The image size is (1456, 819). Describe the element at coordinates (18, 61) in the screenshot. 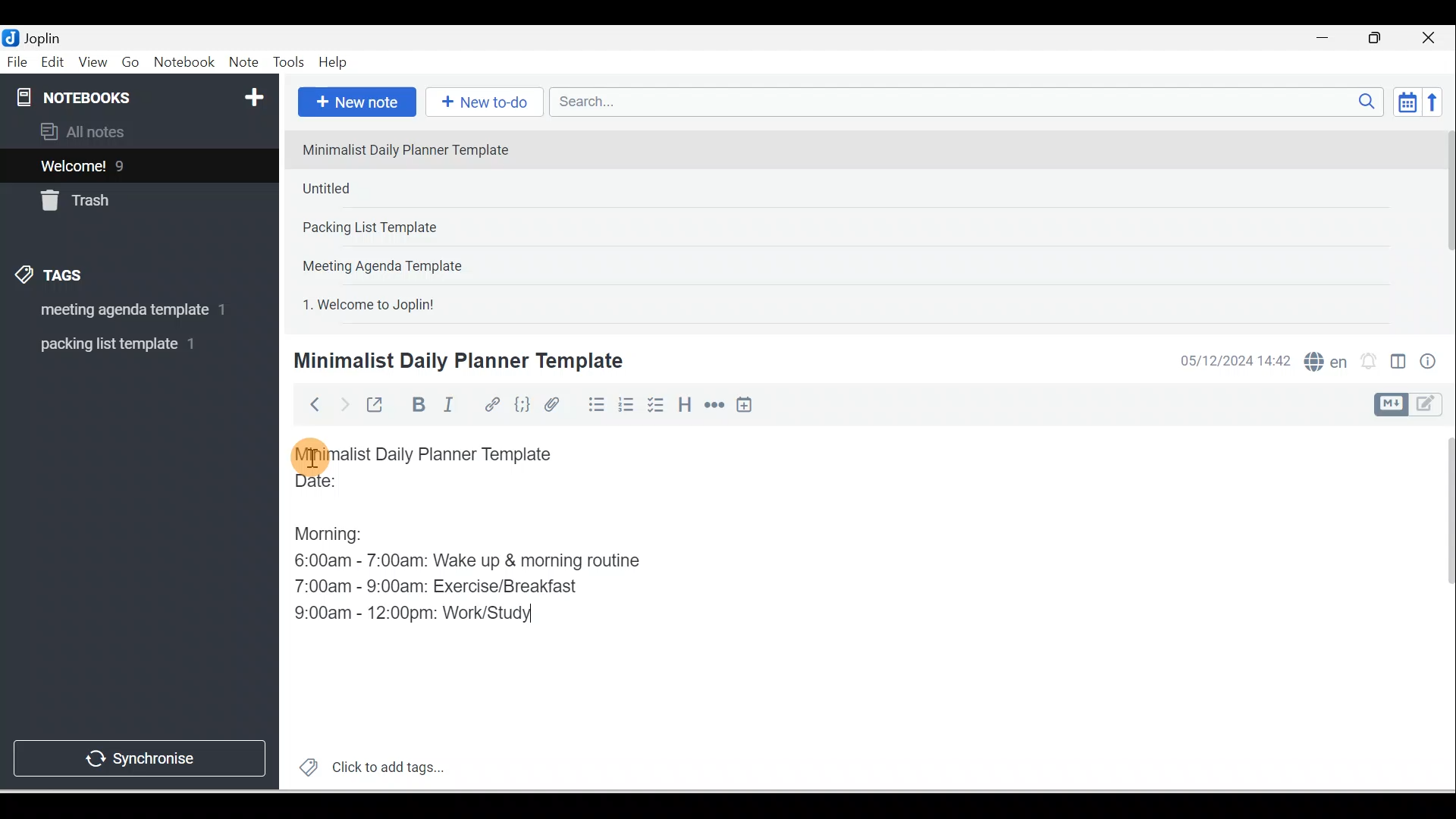

I see `File` at that location.